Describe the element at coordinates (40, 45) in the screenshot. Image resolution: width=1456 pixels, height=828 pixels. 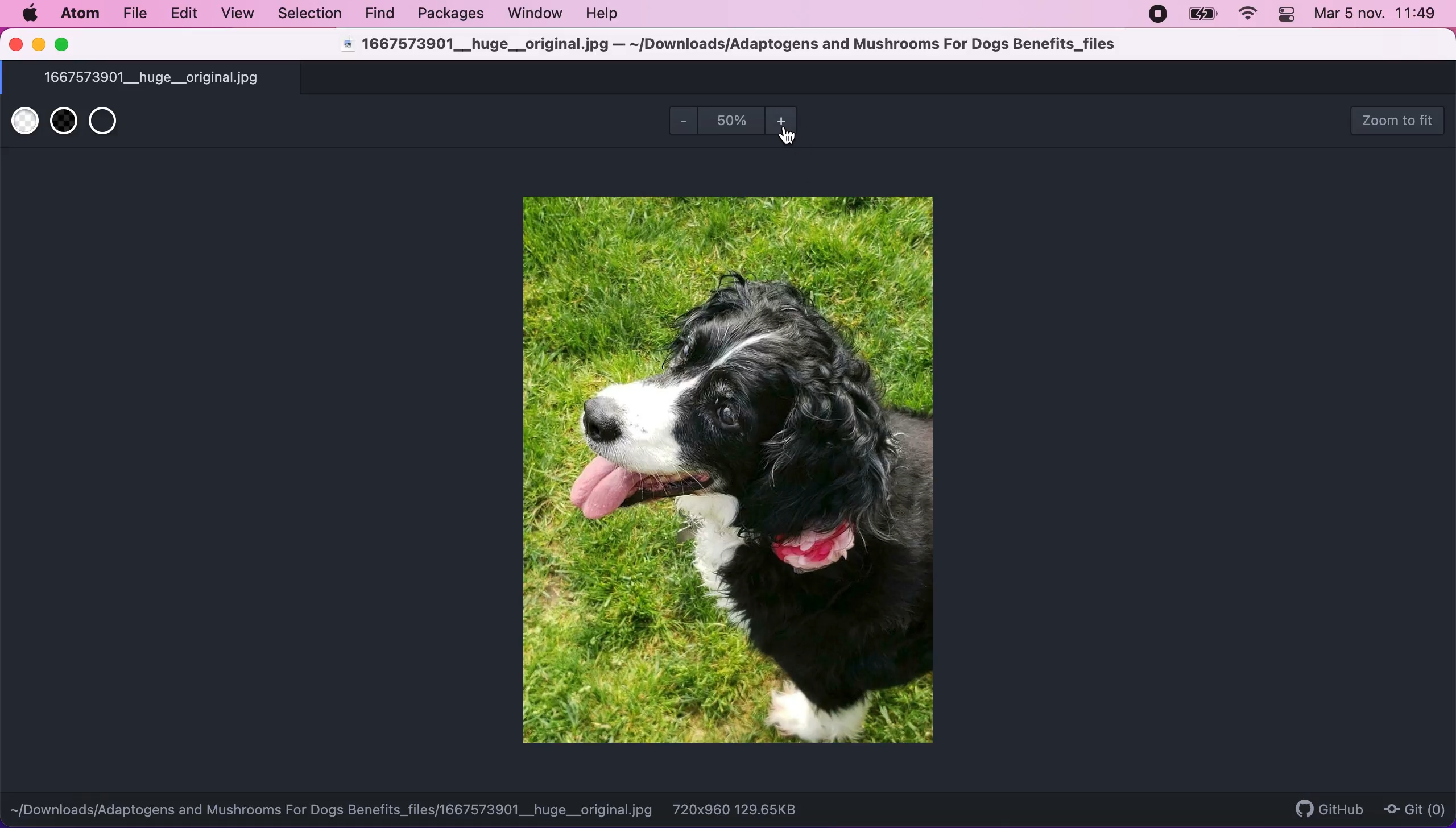
I see `minimize` at that location.